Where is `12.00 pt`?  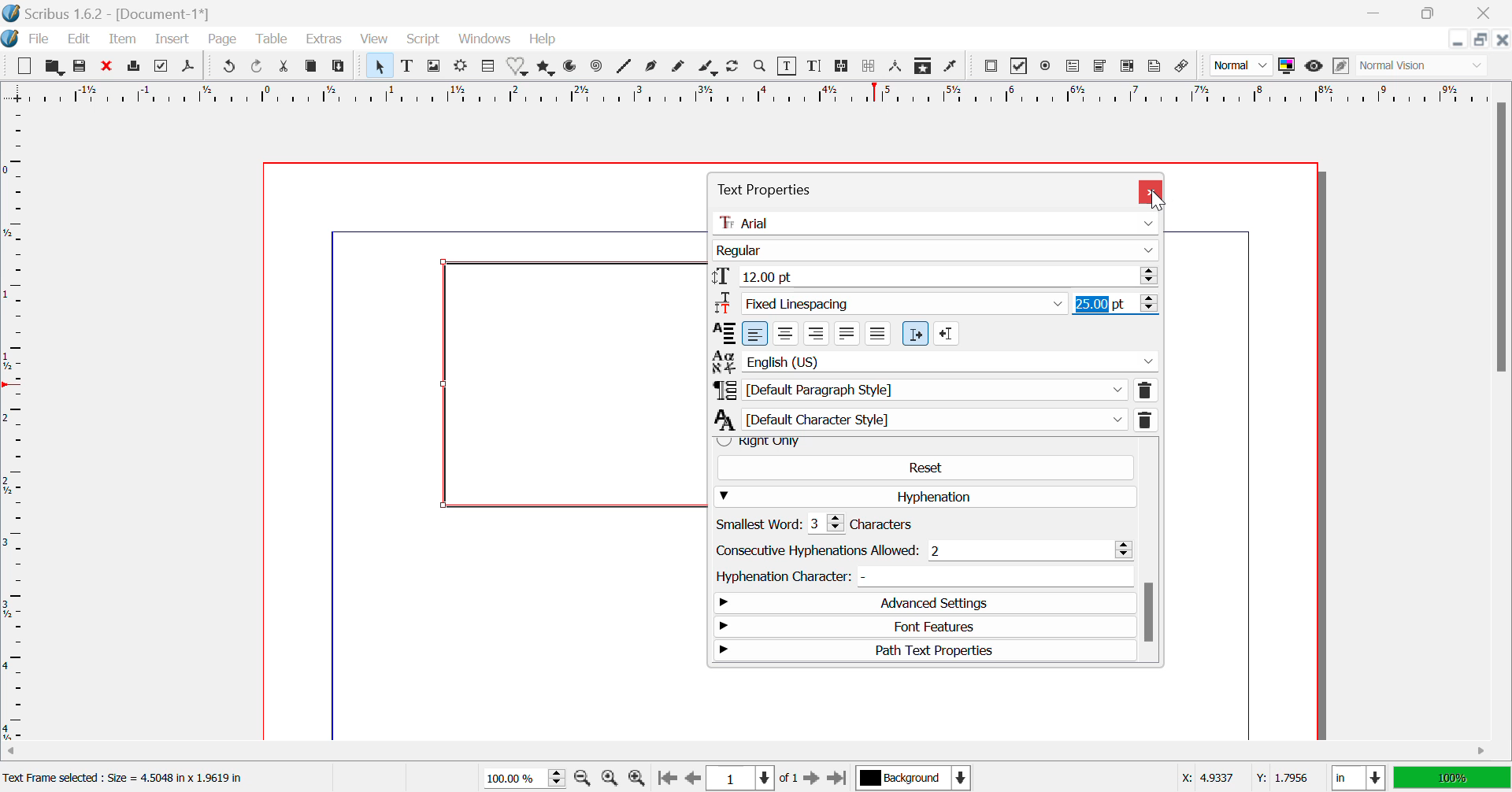
12.00 pt is located at coordinates (936, 276).